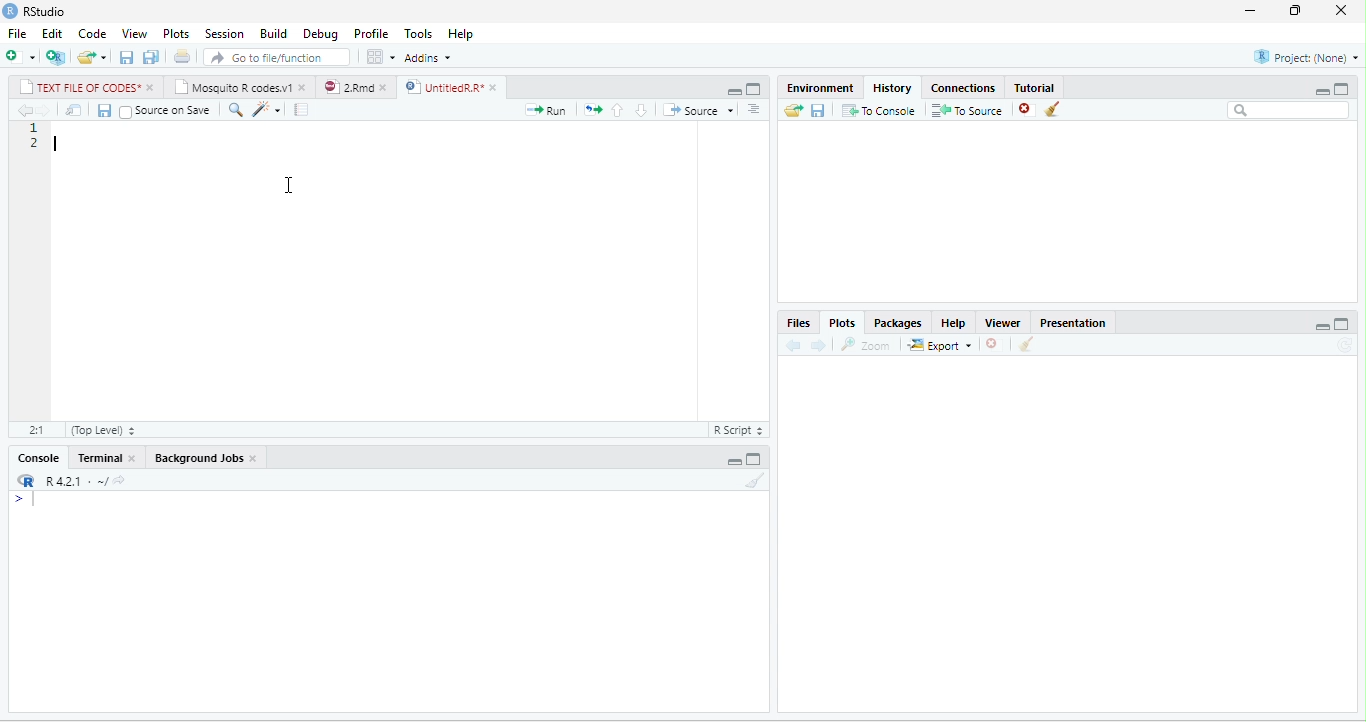 The image size is (1366, 722). What do you see at coordinates (197, 458) in the screenshot?
I see `Background Jobs` at bounding box center [197, 458].